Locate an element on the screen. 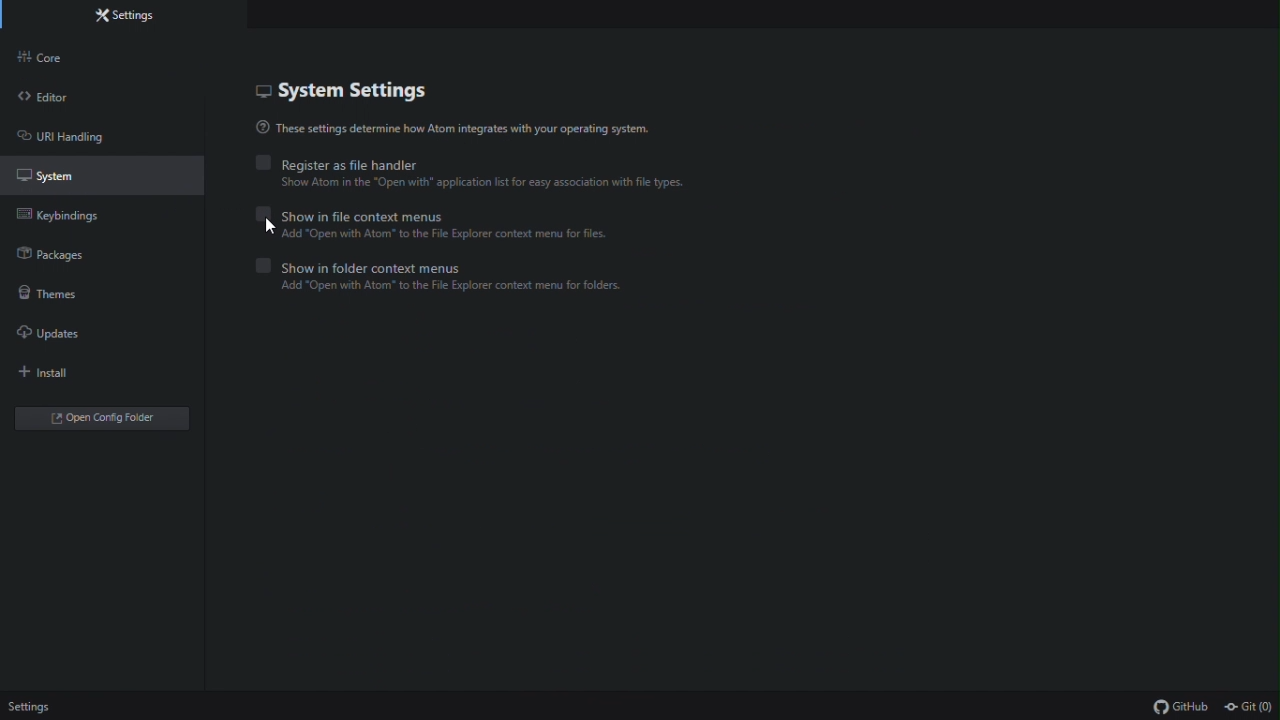 The image size is (1280, 720). Install is located at coordinates (63, 376).